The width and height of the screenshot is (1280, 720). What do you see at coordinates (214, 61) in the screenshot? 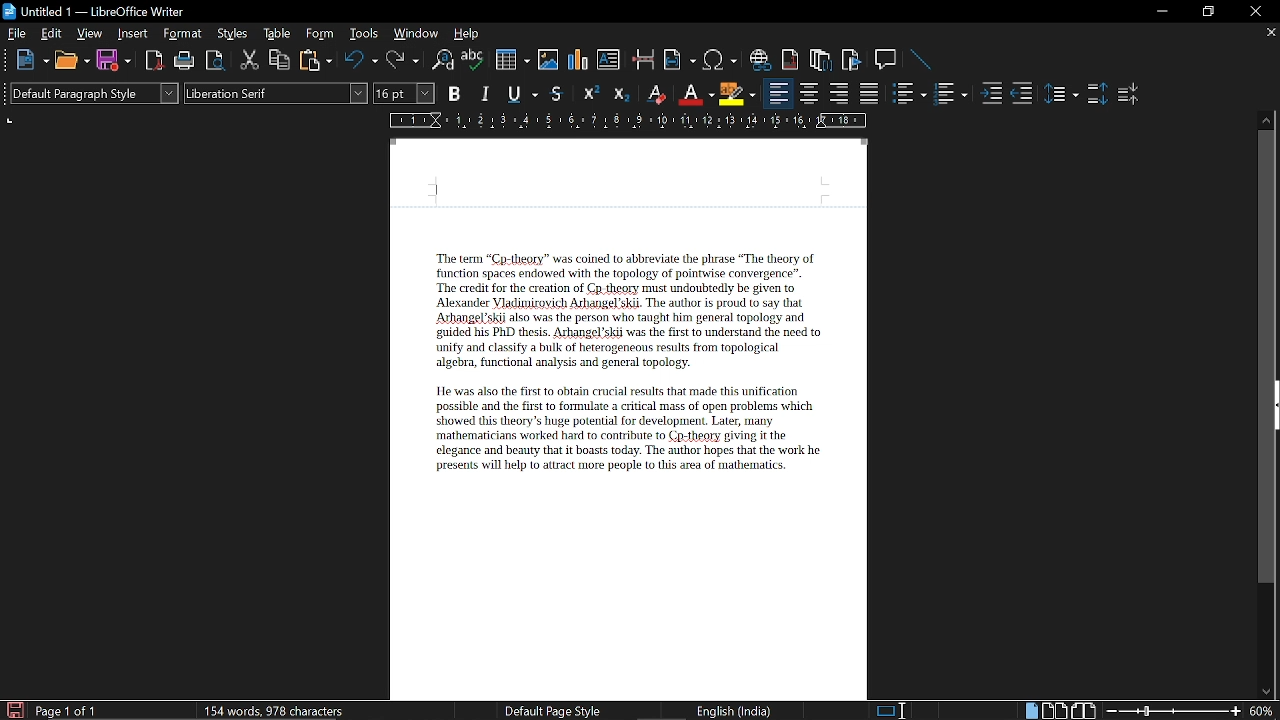
I see `Toggle preview` at bounding box center [214, 61].